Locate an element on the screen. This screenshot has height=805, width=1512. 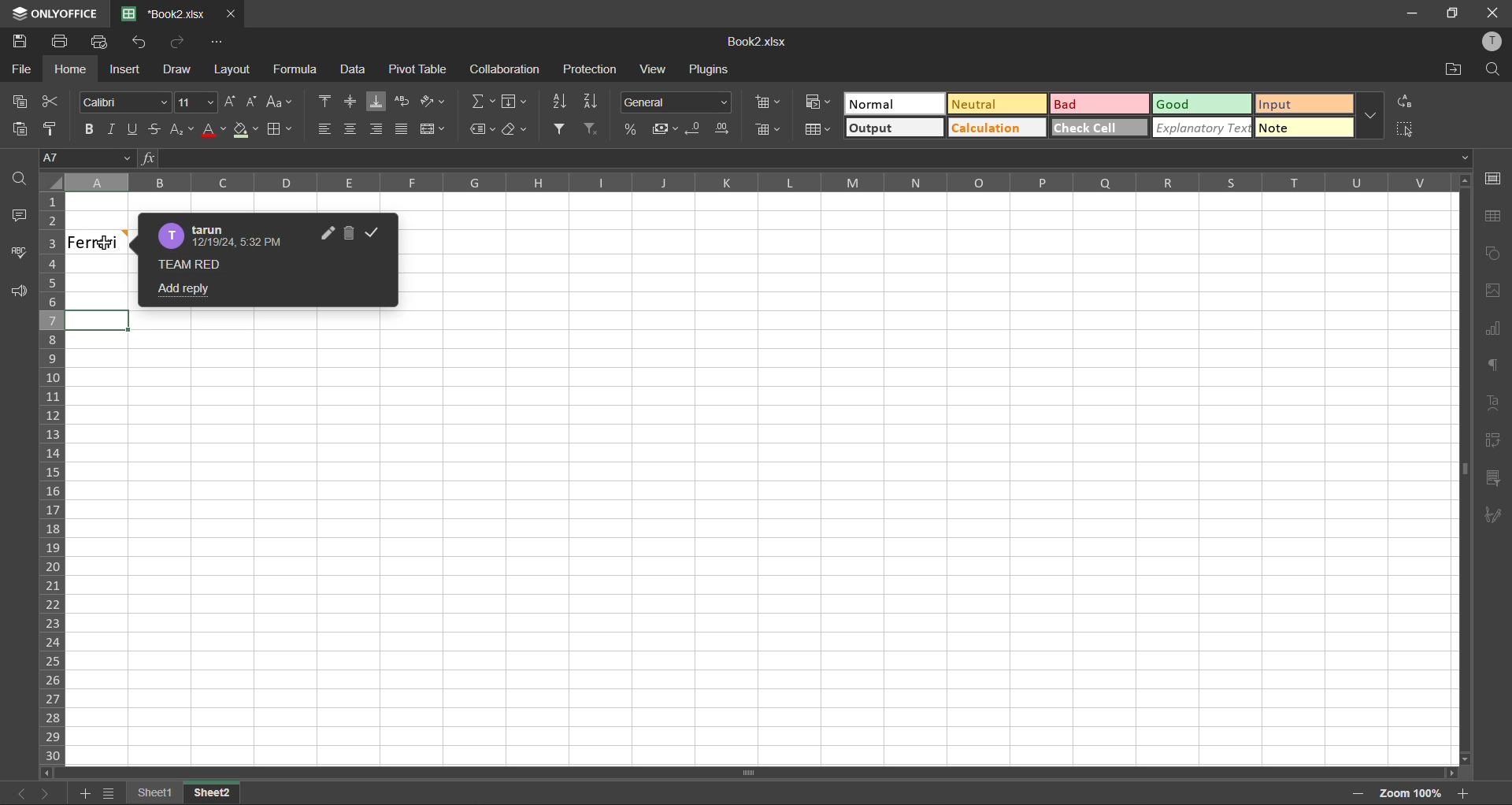
cell address is located at coordinates (86, 158).